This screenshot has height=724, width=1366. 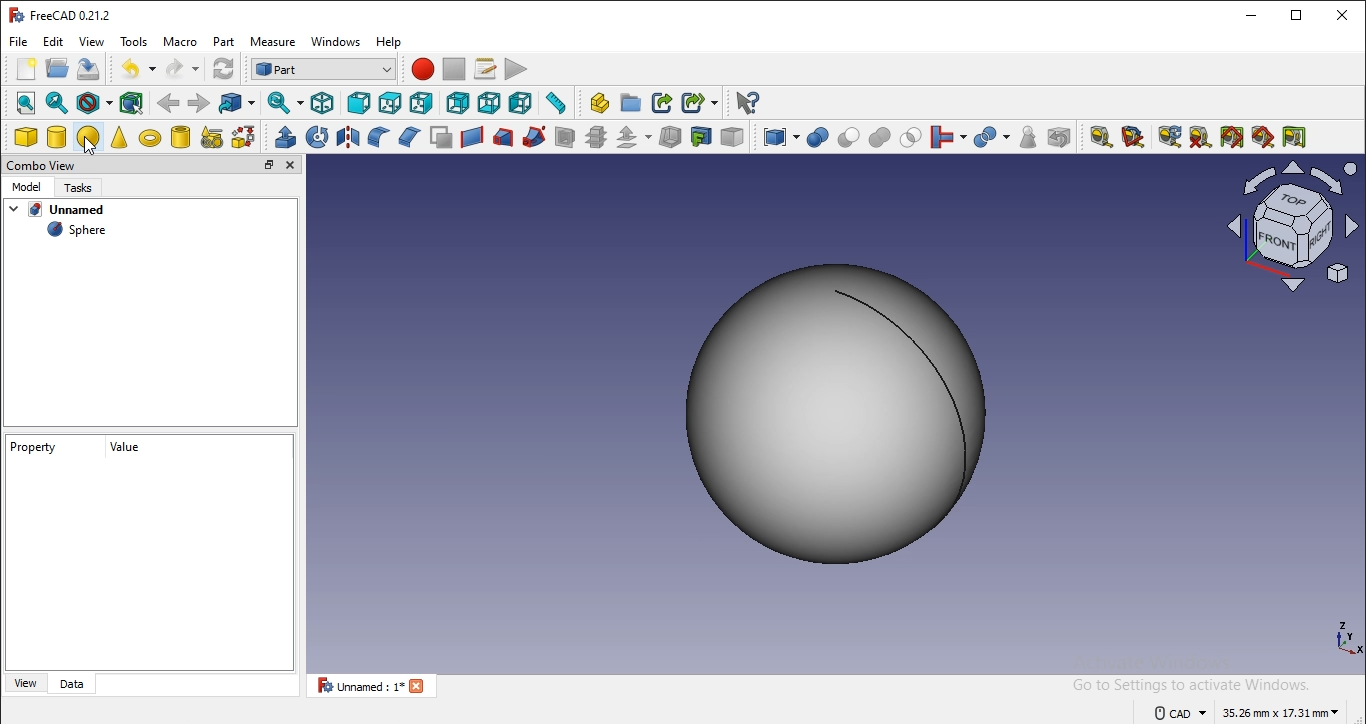 I want to click on value, so click(x=126, y=448).